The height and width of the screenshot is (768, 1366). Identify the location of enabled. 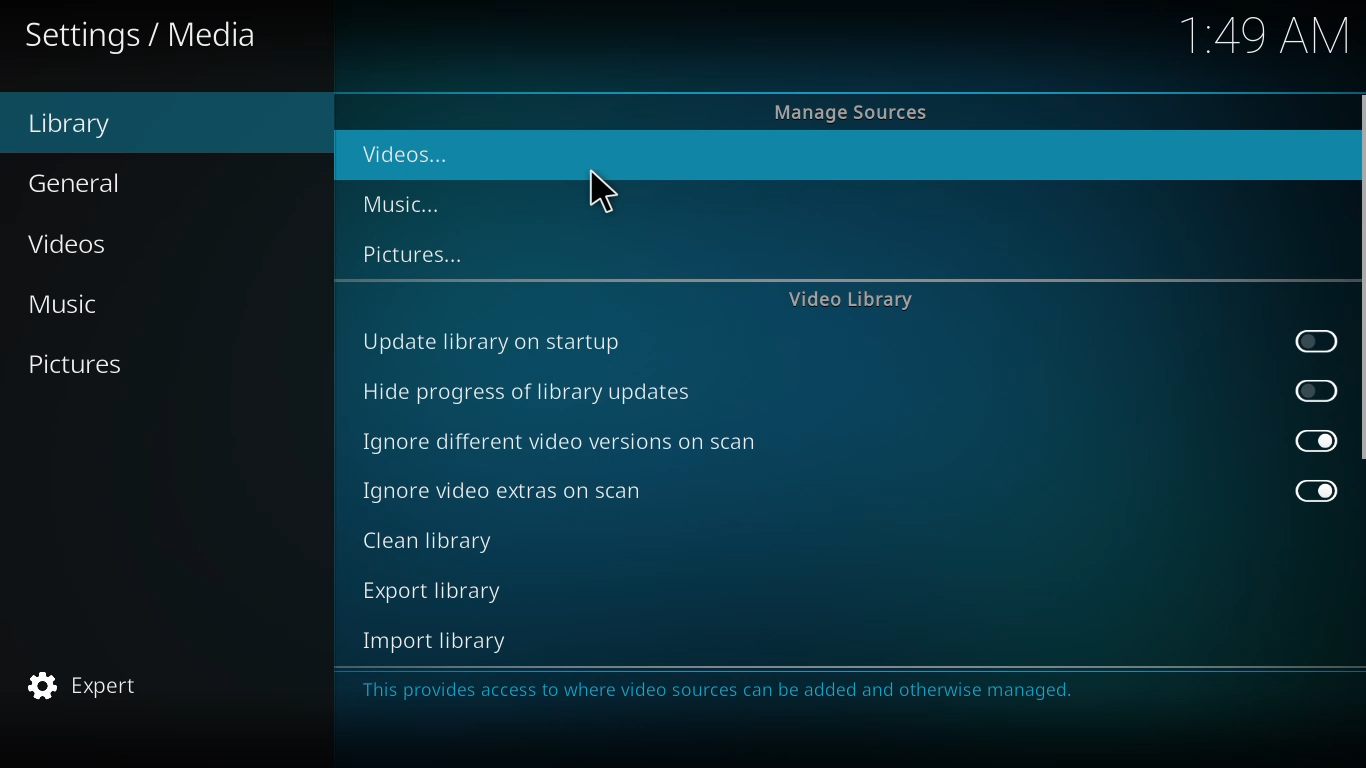
(1313, 489).